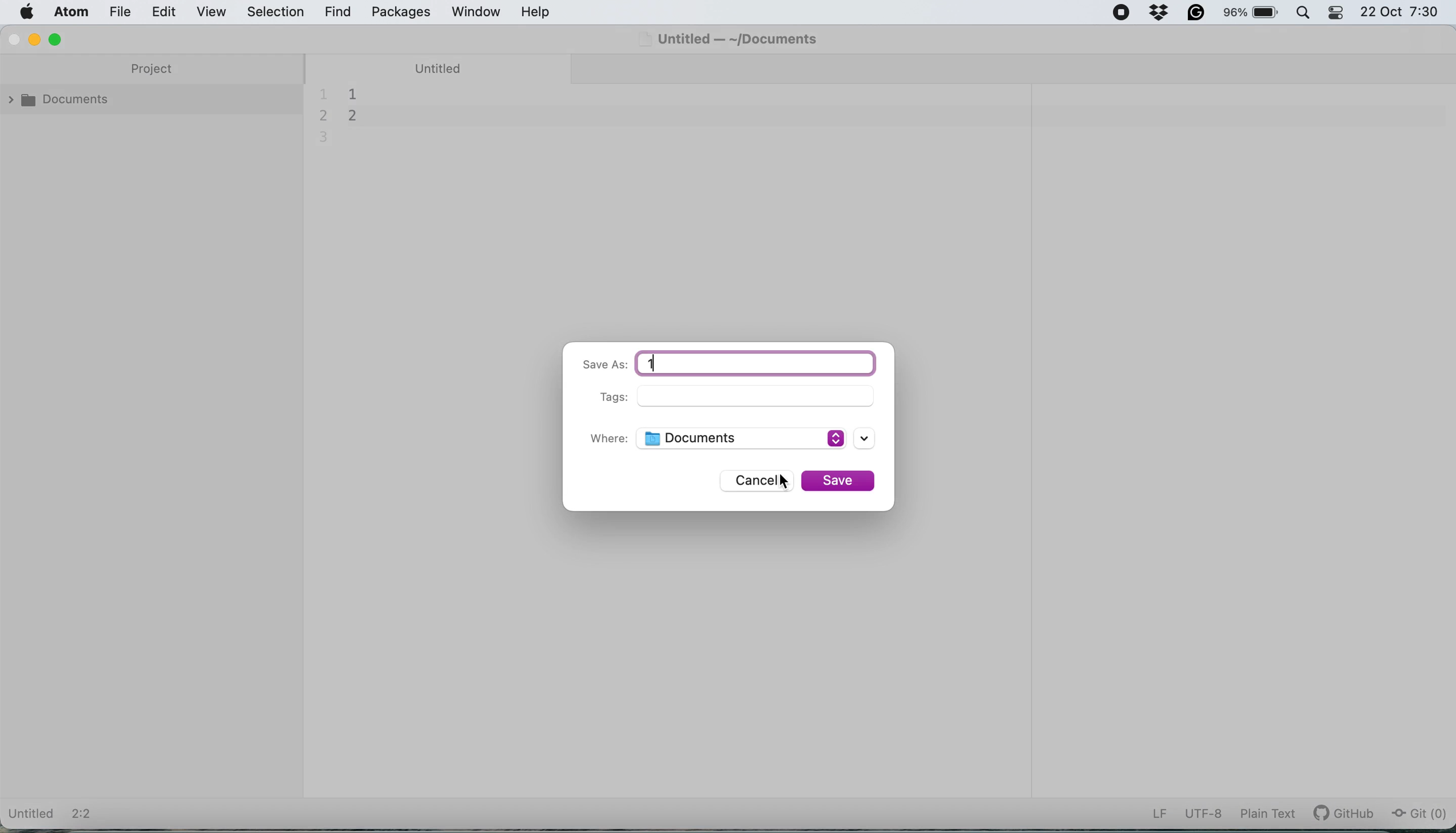 Image resolution: width=1456 pixels, height=833 pixels. I want to click on spotlight search, so click(1303, 15).